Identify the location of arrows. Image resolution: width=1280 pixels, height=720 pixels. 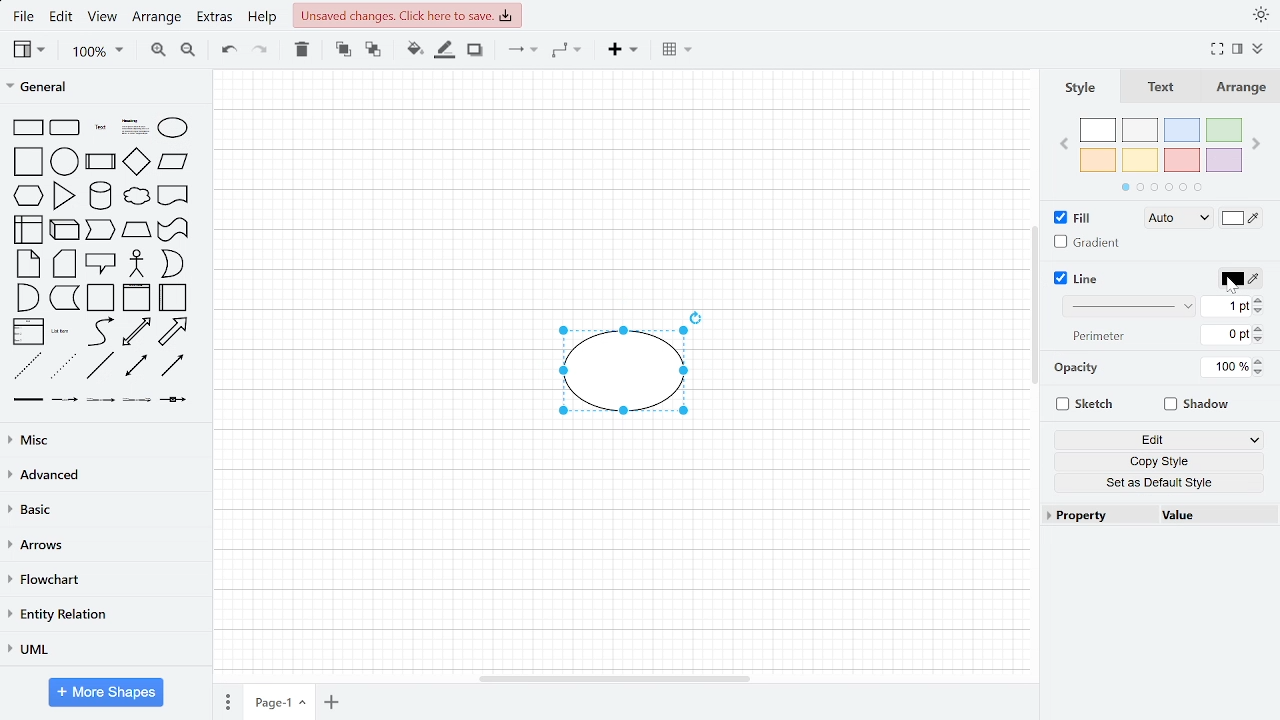
(522, 50).